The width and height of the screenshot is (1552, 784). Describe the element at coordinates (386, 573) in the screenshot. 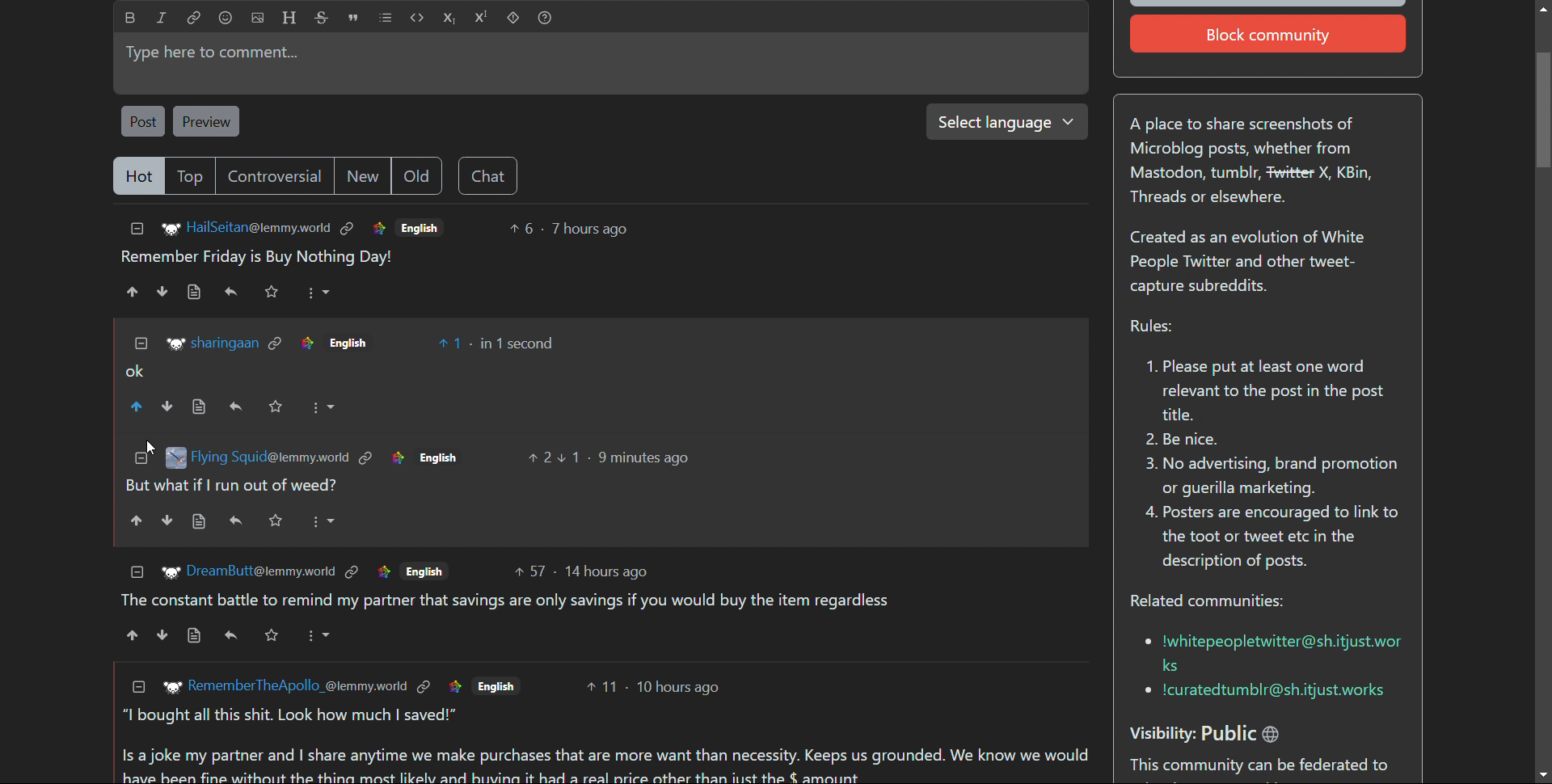

I see `link` at that location.